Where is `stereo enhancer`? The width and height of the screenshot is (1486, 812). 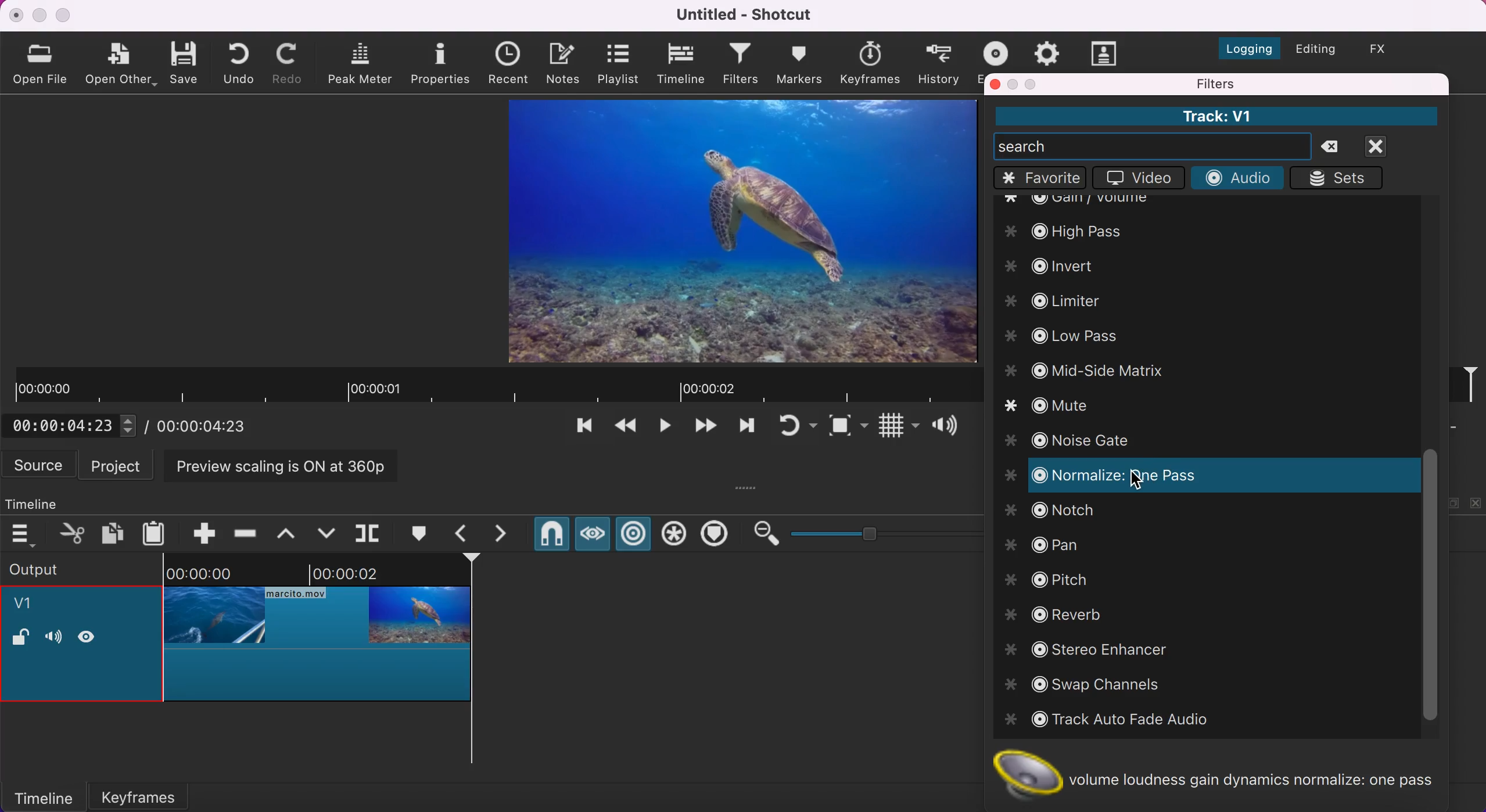 stereo enhancer is located at coordinates (1103, 649).